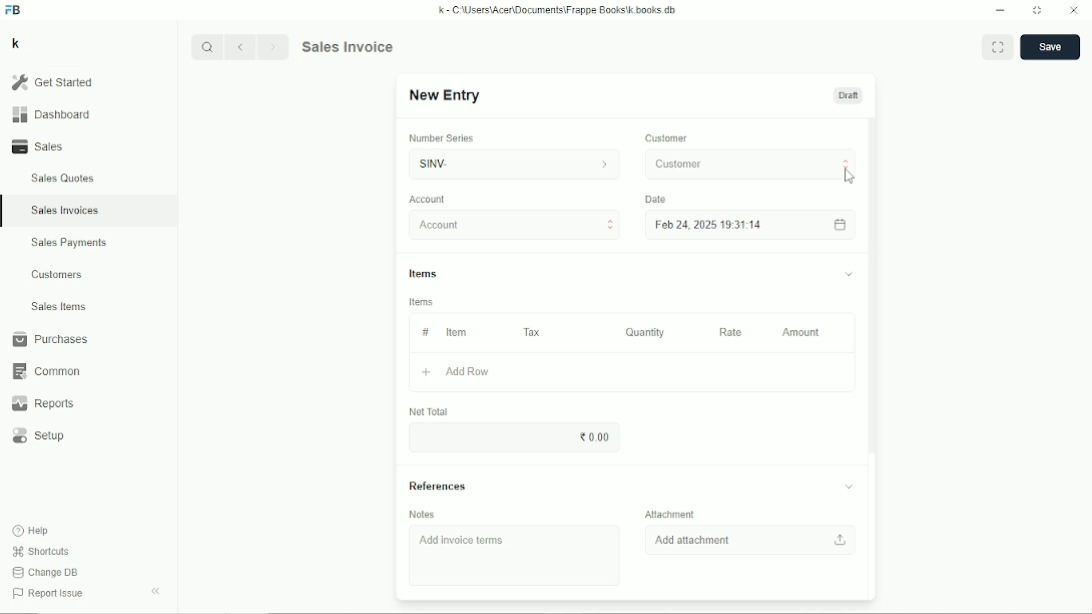 Image resolution: width=1092 pixels, height=614 pixels. What do you see at coordinates (424, 332) in the screenshot?
I see `#` at bounding box center [424, 332].